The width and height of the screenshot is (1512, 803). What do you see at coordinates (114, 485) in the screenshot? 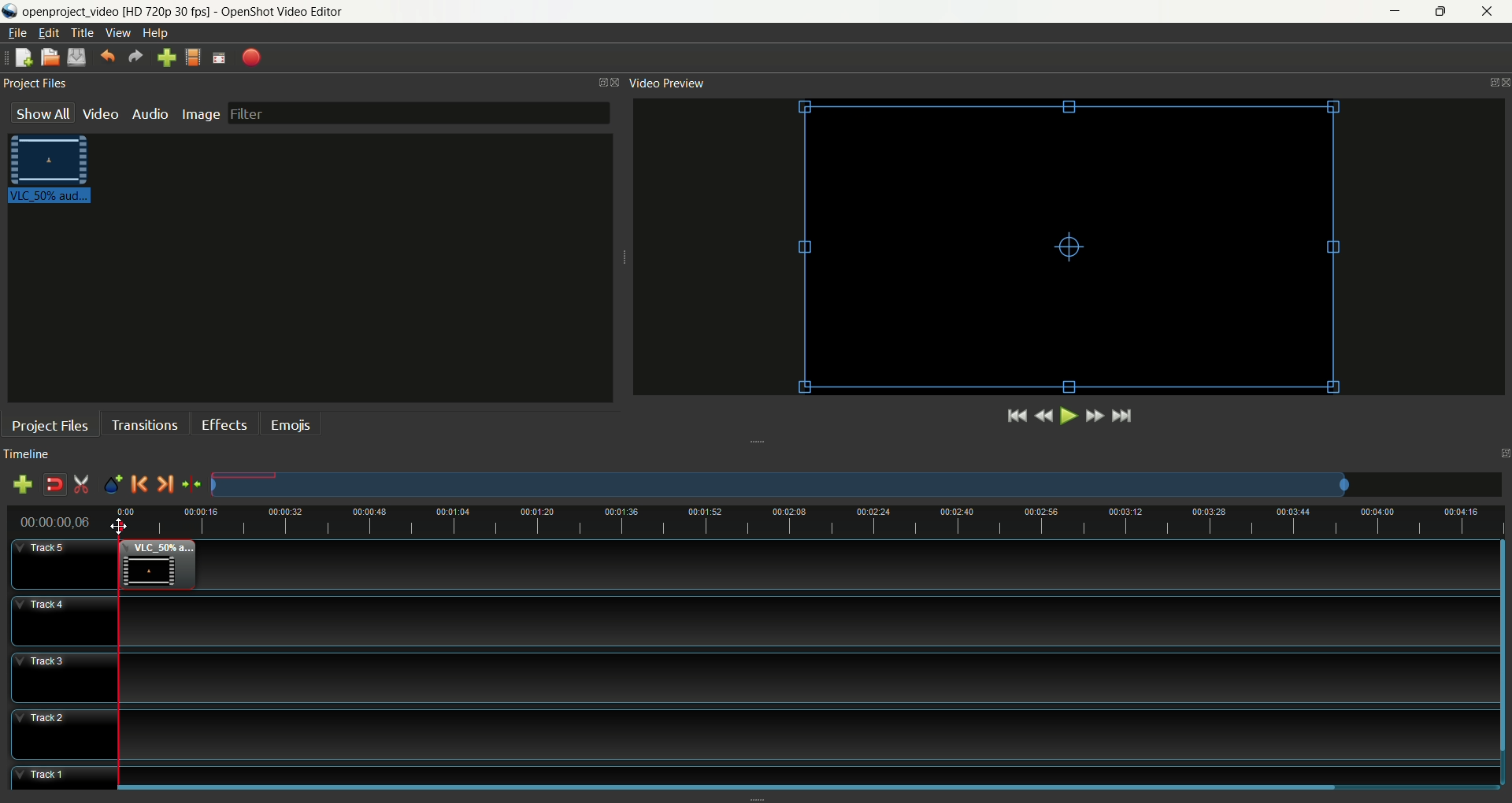
I see `add marker` at bounding box center [114, 485].